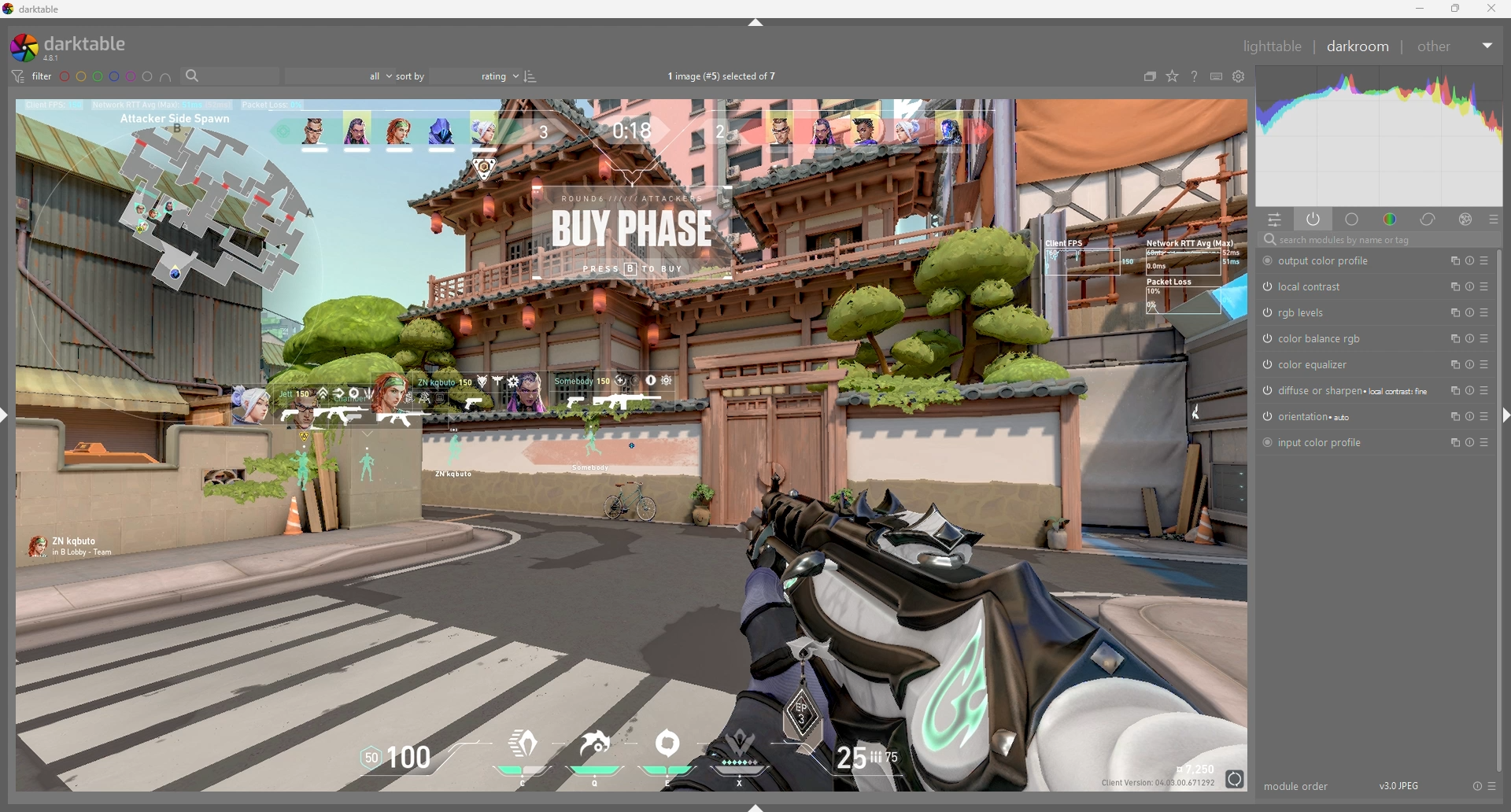 The height and width of the screenshot is (812, 1511). Describe the element at coordinates (1402, 784) in the screenshot. I see `version` at that location.